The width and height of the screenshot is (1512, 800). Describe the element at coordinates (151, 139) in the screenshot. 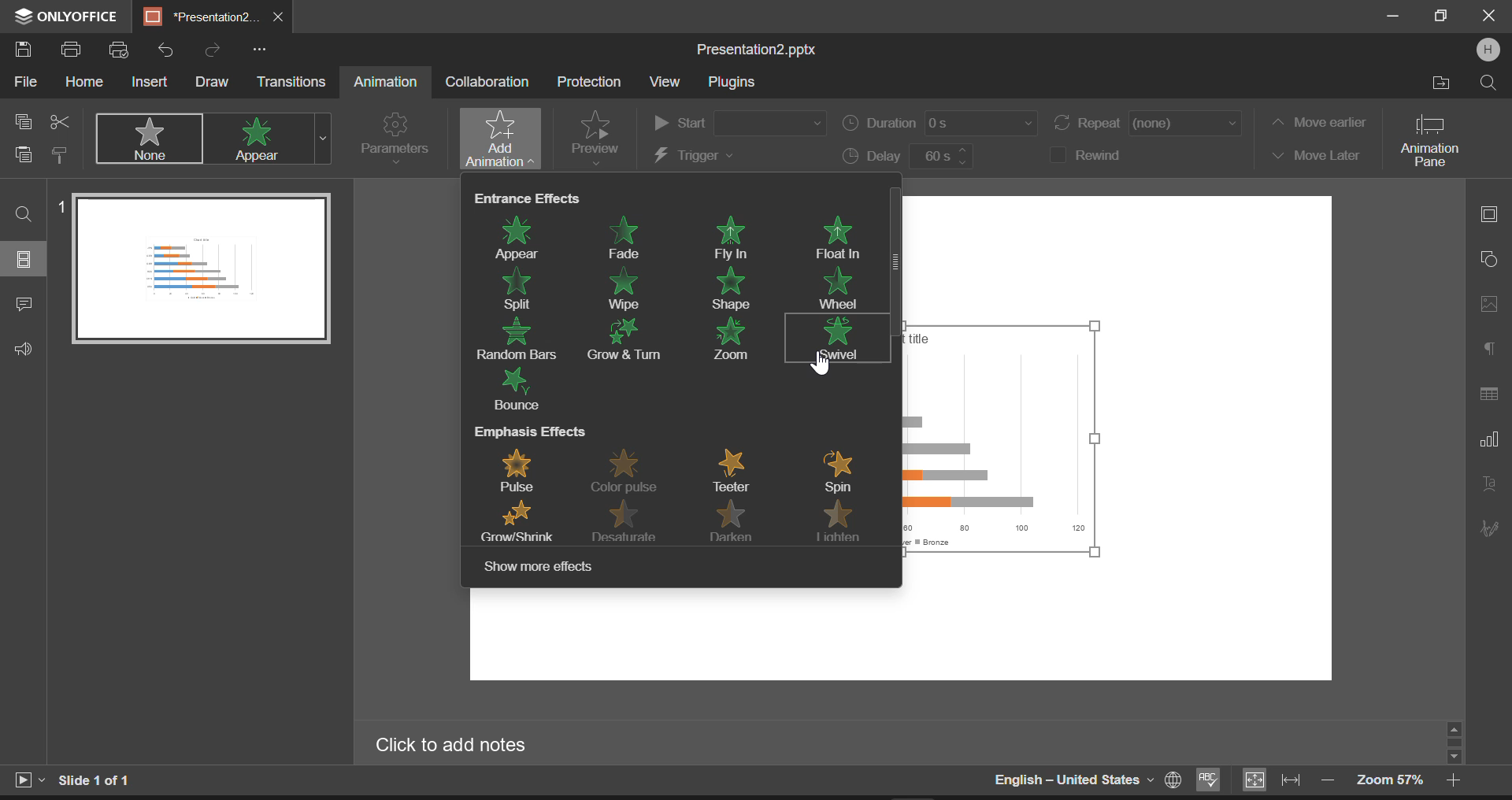

I see `None` at that location.